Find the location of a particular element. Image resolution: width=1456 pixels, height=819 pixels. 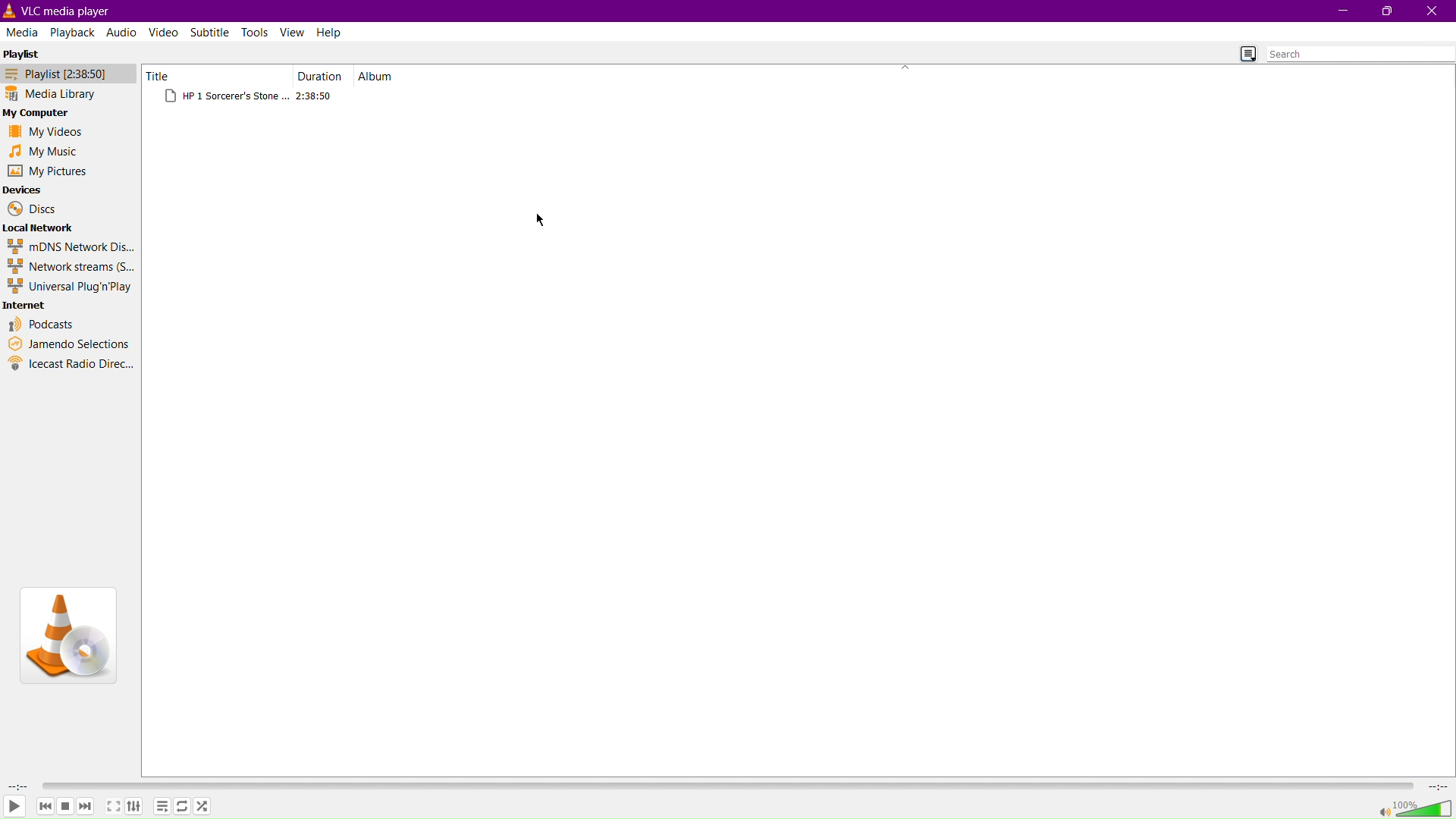

Playlist is located at coordinates (162, 807).